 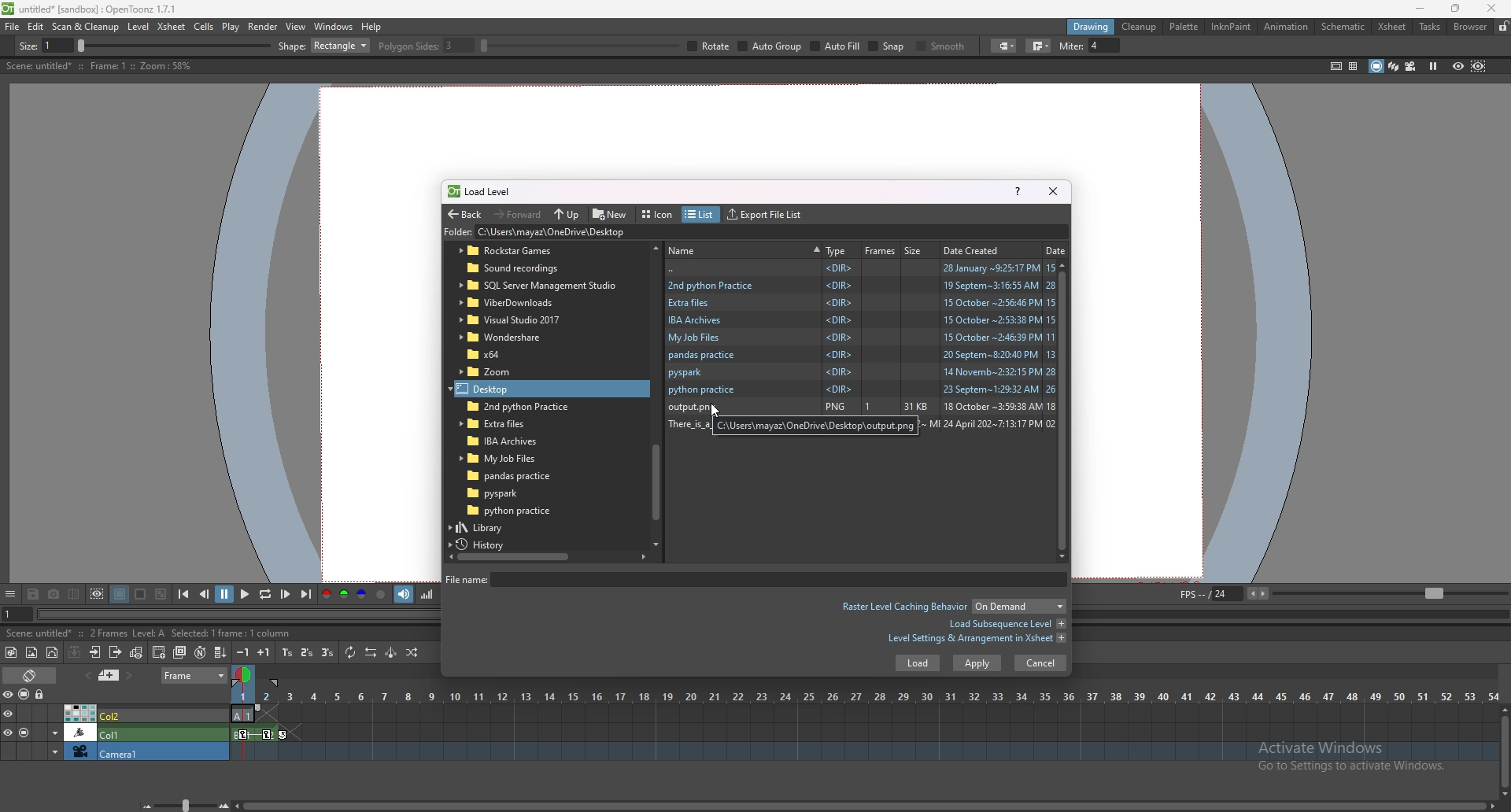 I want to click on edit, so click(x=36, y=26).